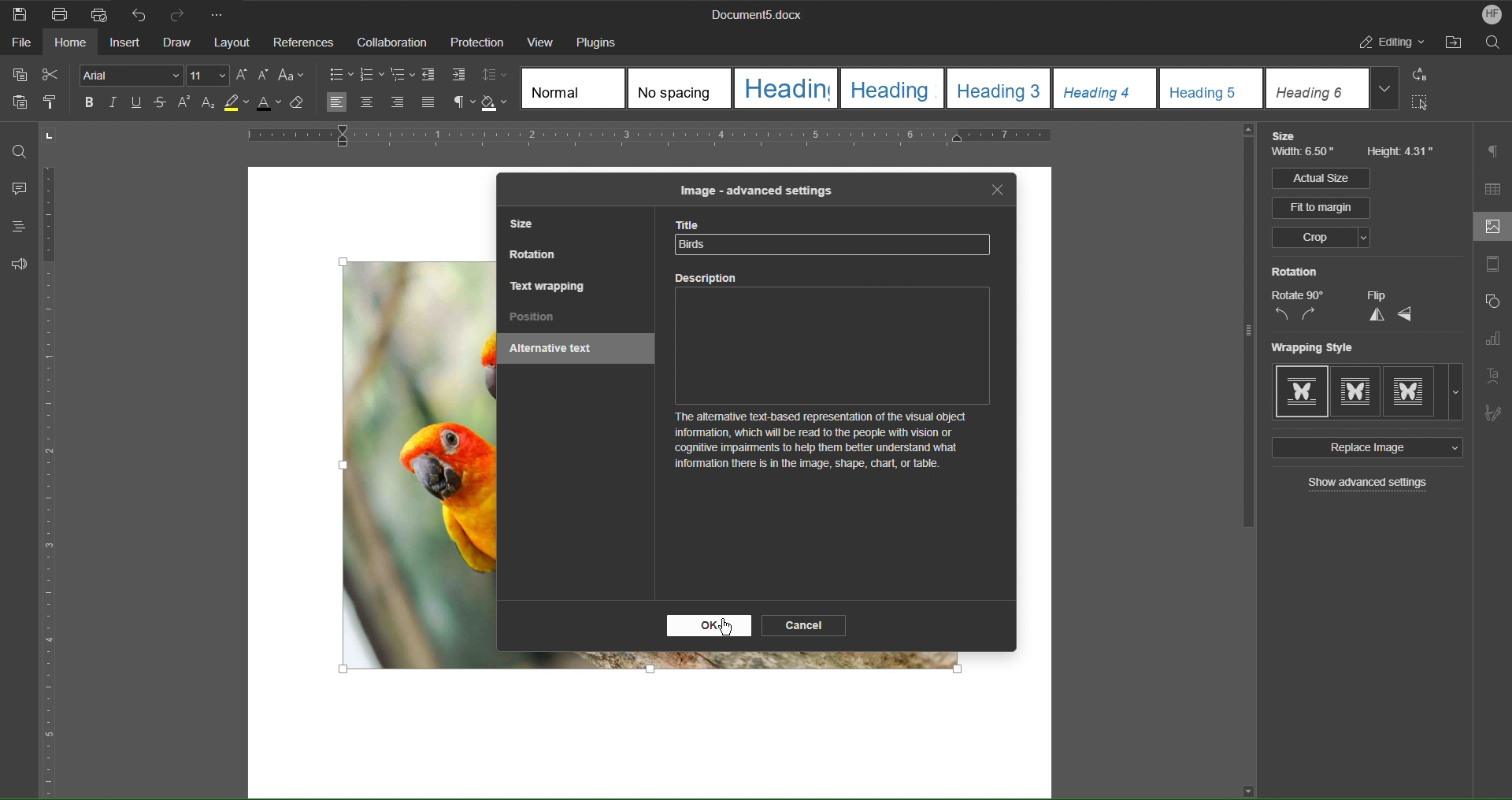 This screenshot has width=1512, height=800. Describe the element at coordinates (702, 139) in the screenshot. I see `Horizontal Ruler` at that location.